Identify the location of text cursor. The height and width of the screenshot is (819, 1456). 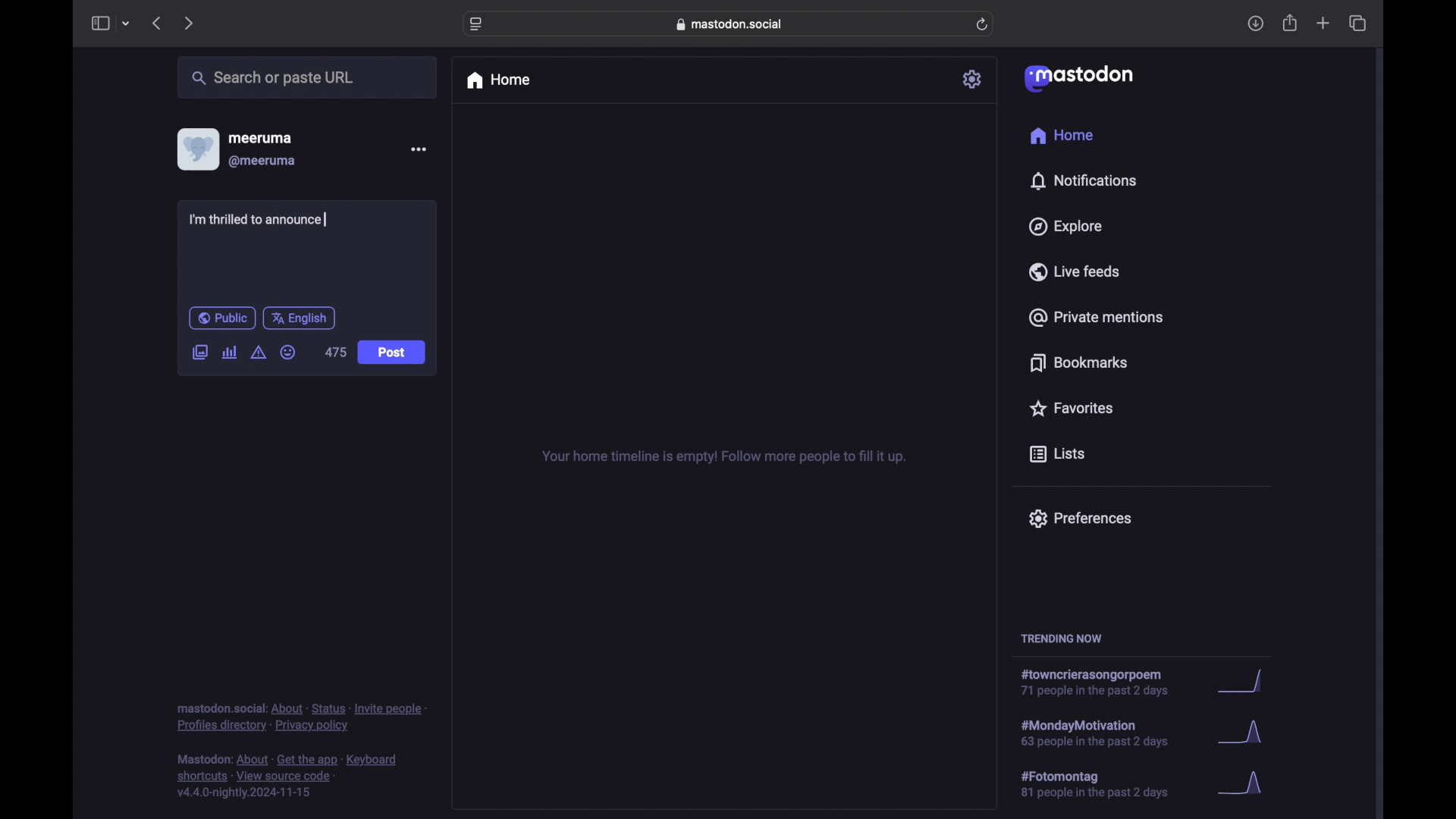
(326, 219).